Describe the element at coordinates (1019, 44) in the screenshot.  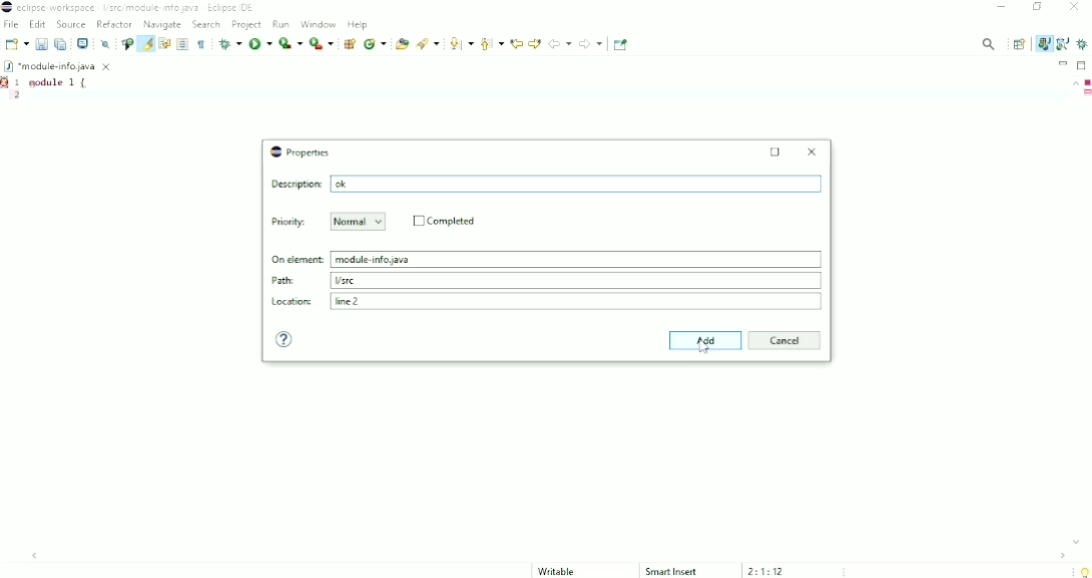
I see `Open Perspective` at that location.